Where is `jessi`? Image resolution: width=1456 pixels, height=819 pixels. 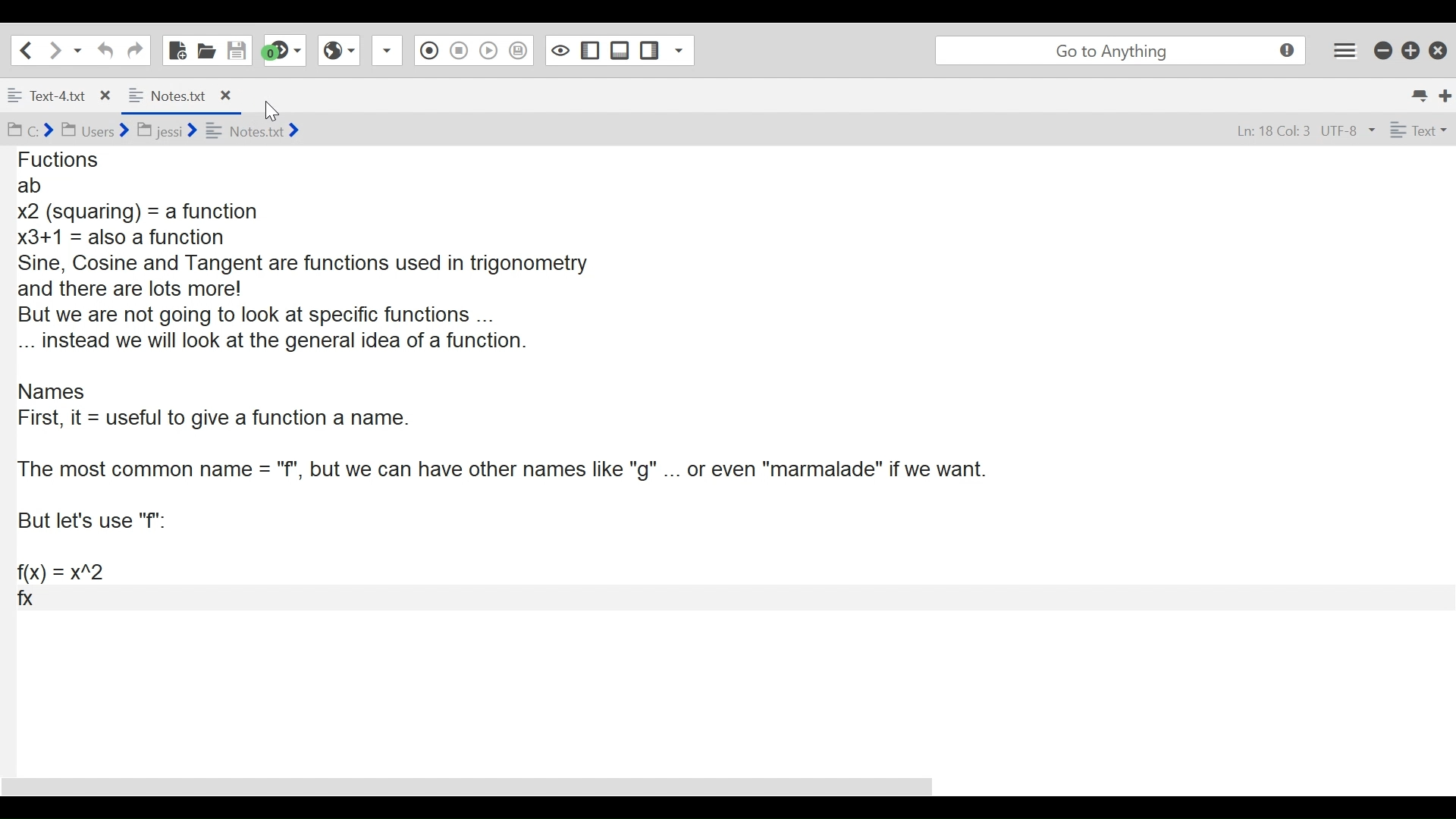 jessi is located at coordinates (168, 127).